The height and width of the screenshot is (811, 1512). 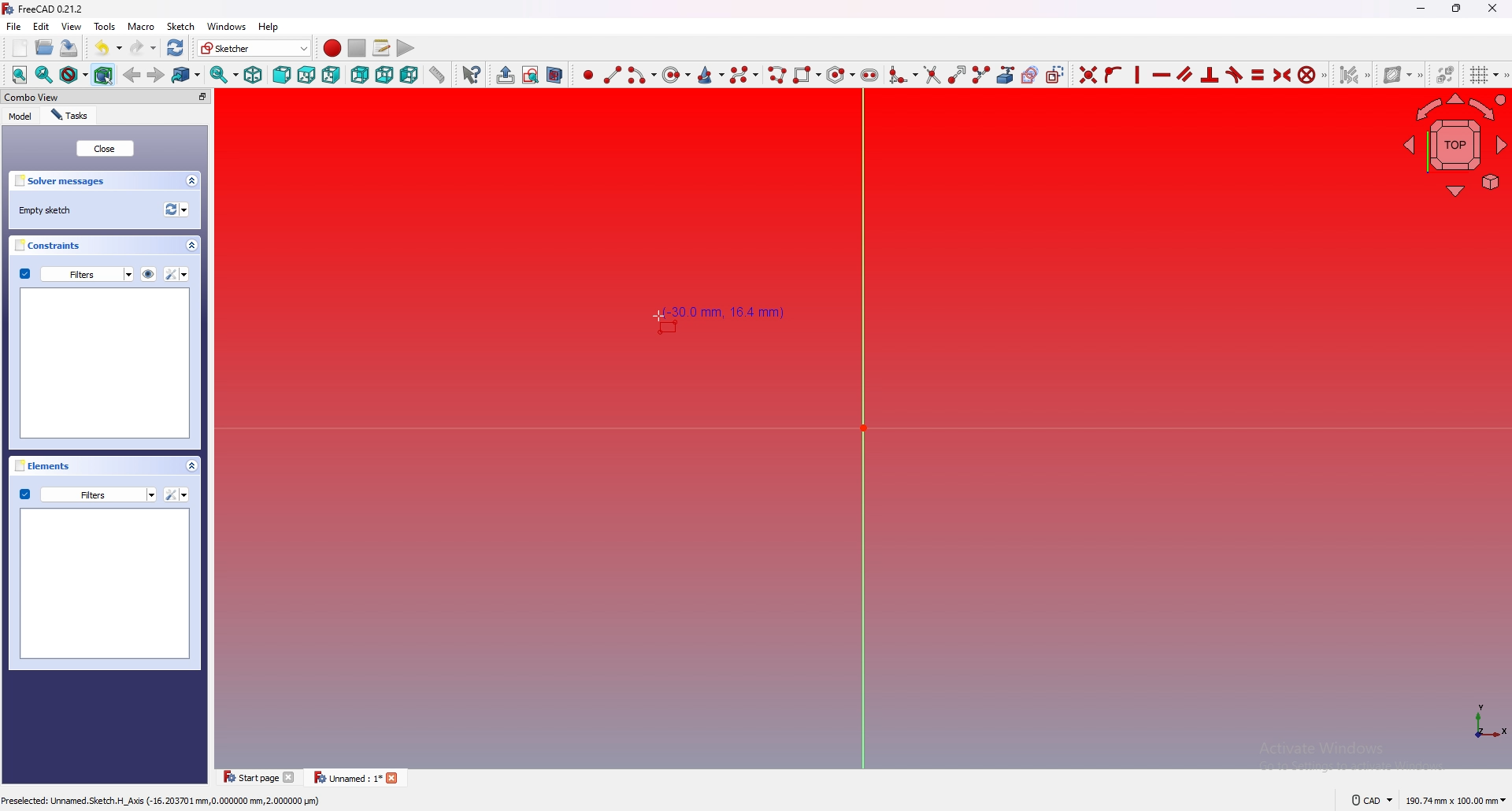 I want to click on isometric, so click(x=254, y=75).